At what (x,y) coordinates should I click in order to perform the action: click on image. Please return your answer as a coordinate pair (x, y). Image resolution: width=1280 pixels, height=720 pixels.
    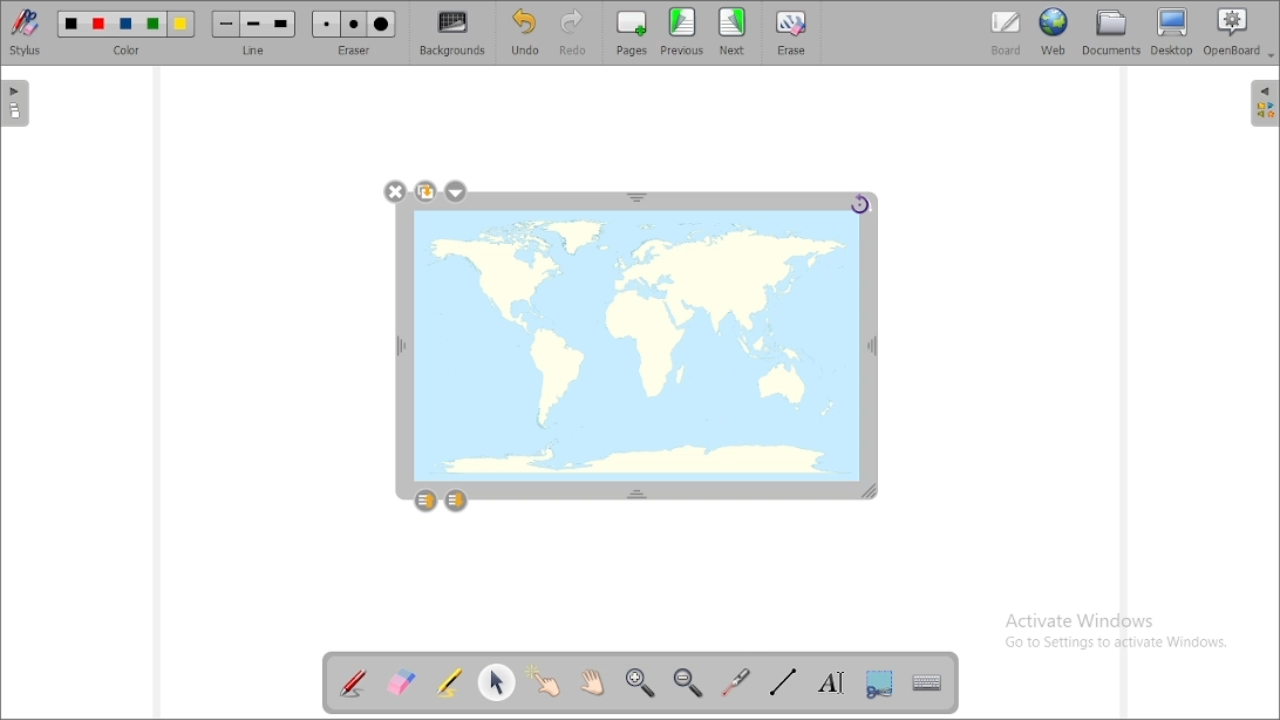
    Looking at the image, I should click on (636, 346).